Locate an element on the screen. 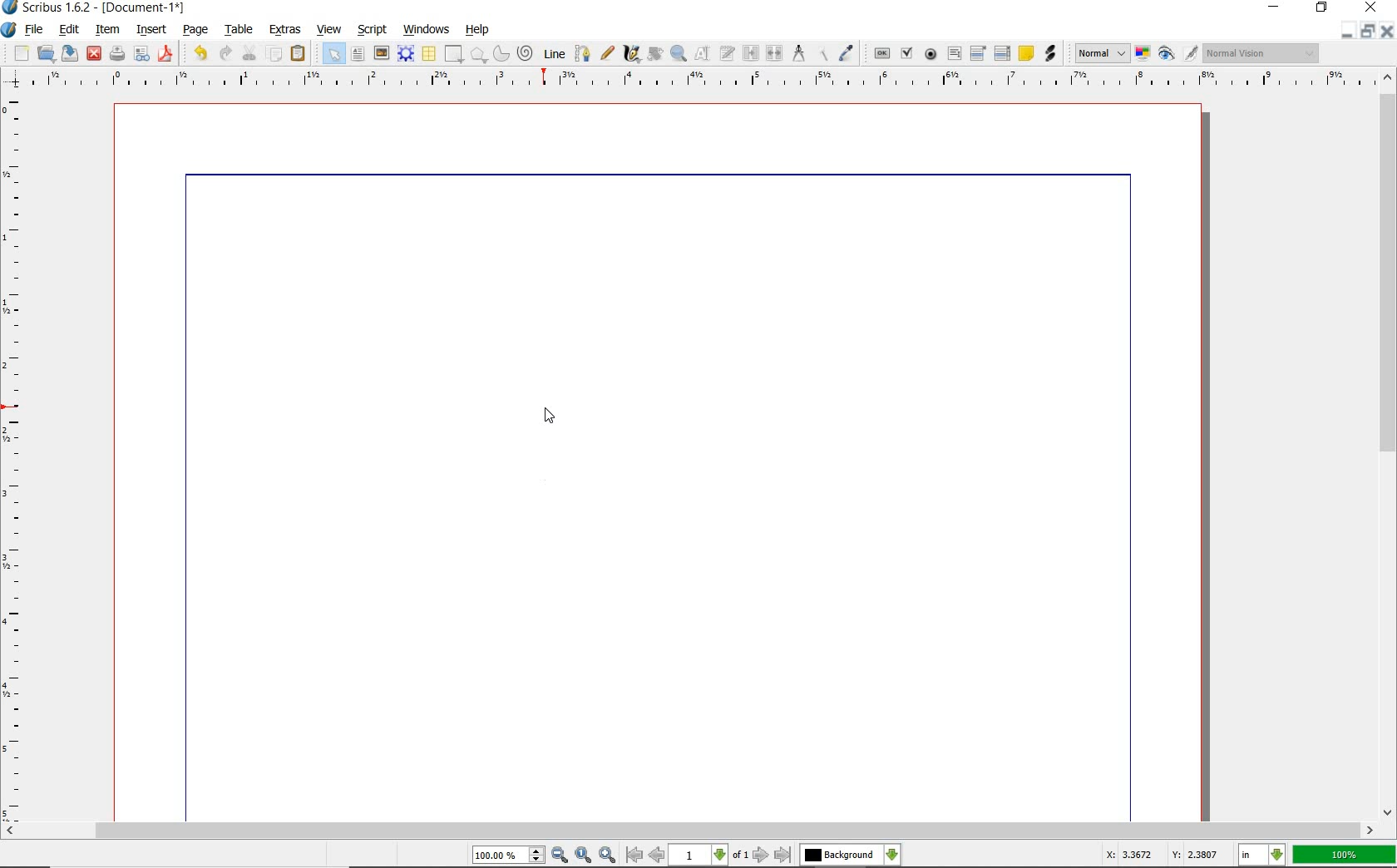  pdf list box is located at coordinates (1002, 55).